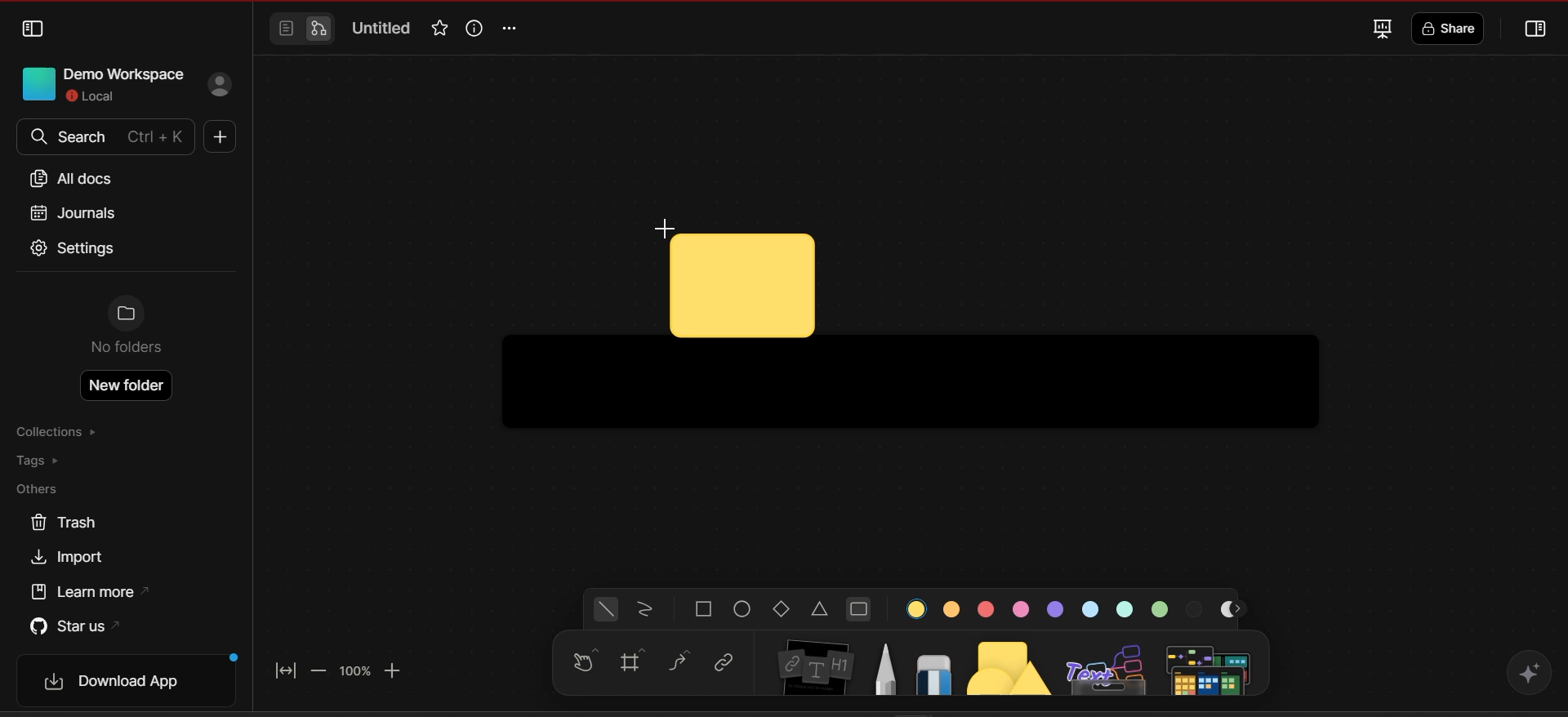 This screenshot has width=1568, height=717. What do you see at coordinates (681, 661) in the screenshot?
I see `curve` at bounding box center [681, 661].